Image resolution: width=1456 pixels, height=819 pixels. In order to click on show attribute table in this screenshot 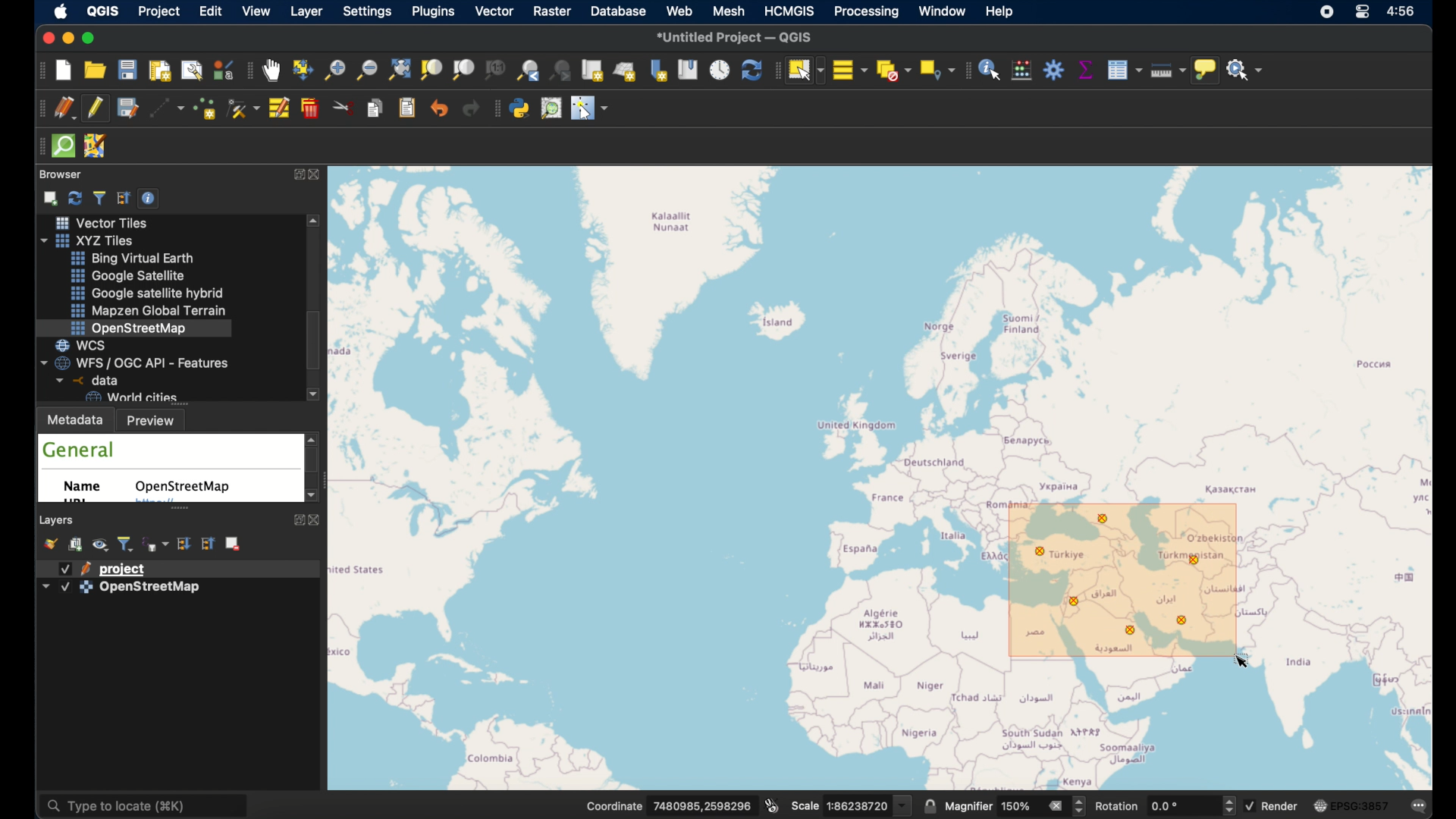, I will do `click(1125, 70)`.